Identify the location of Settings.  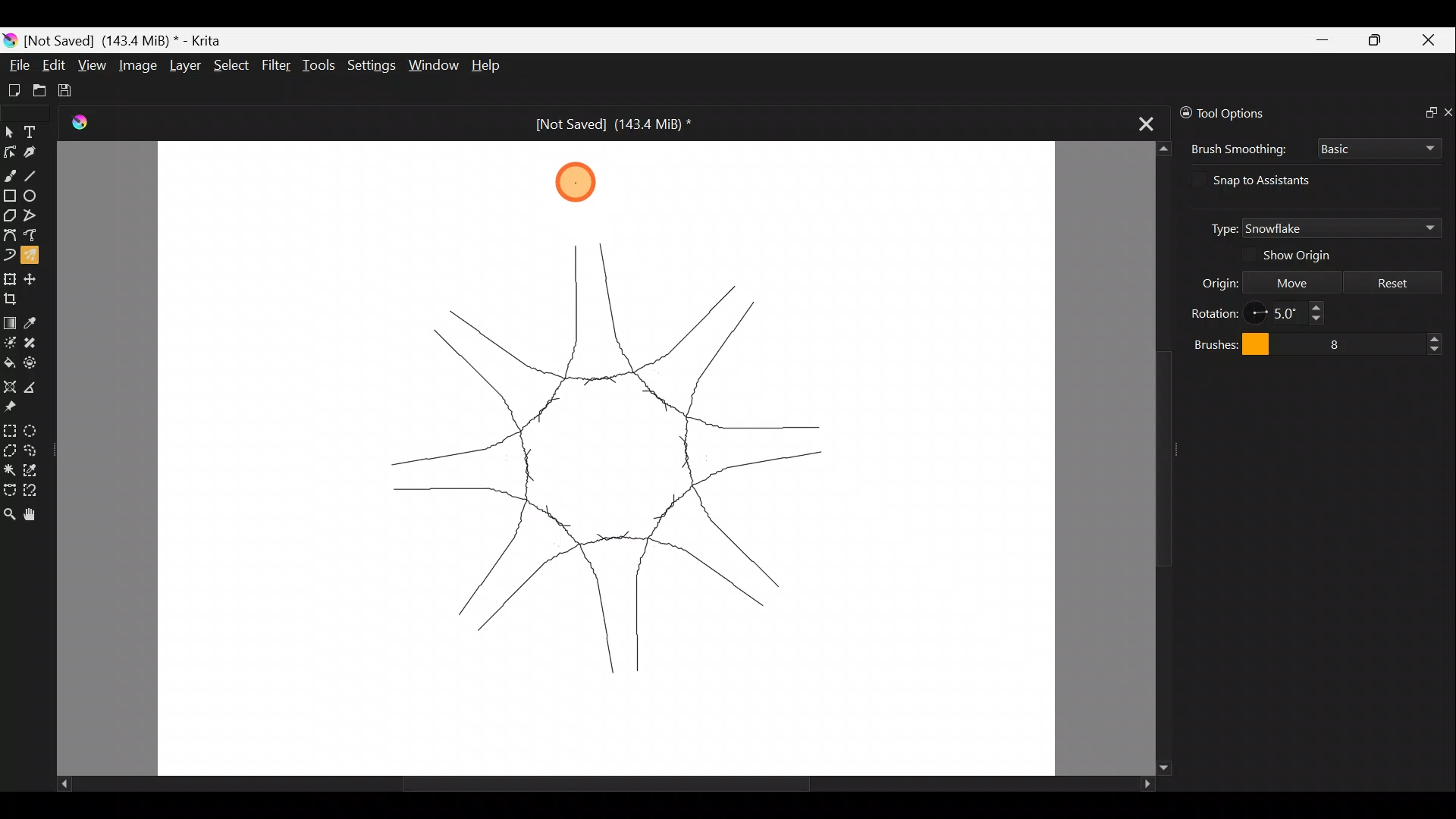
(369, 66).